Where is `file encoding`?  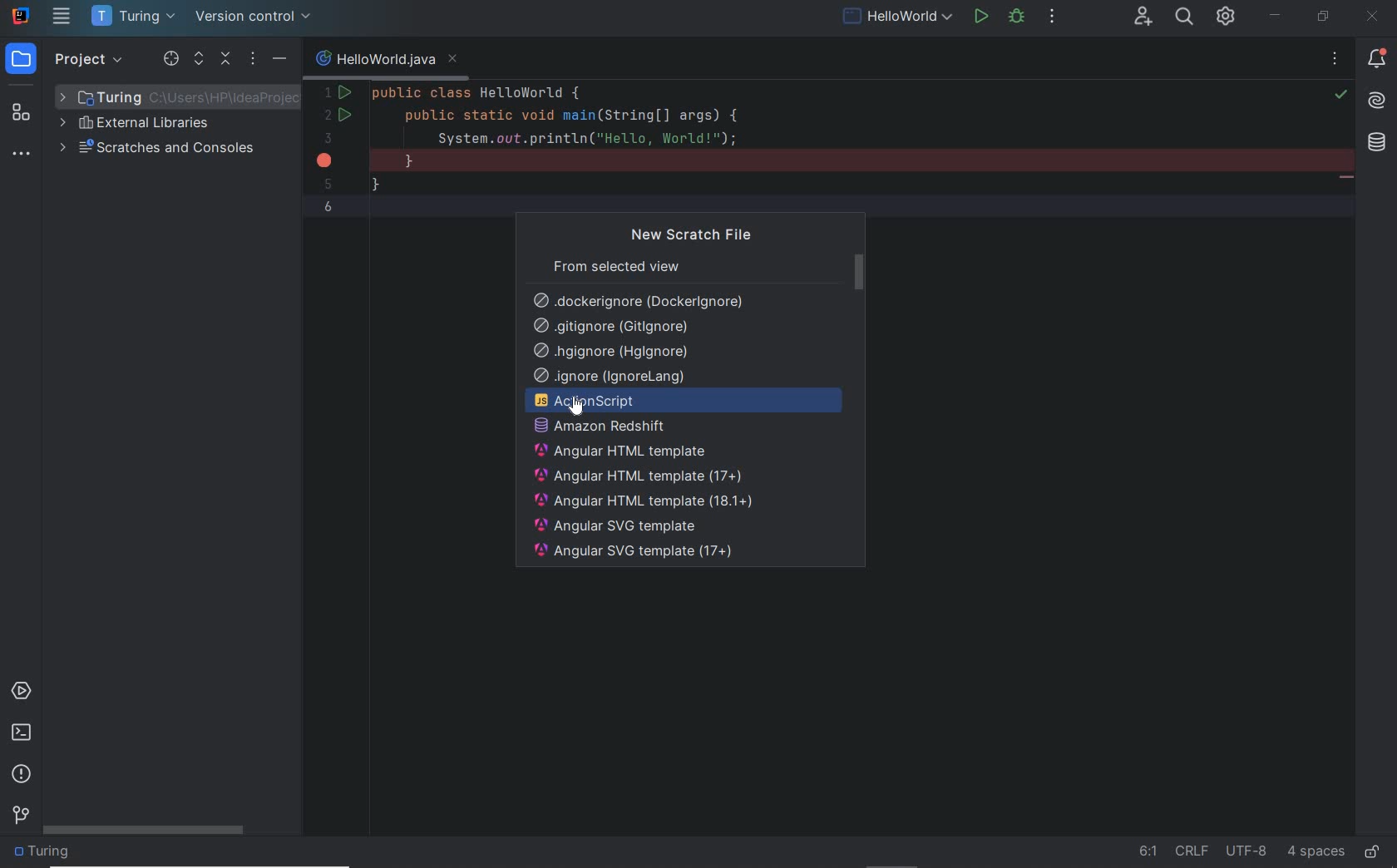 file encoding is located at coordinates (1246, 851).